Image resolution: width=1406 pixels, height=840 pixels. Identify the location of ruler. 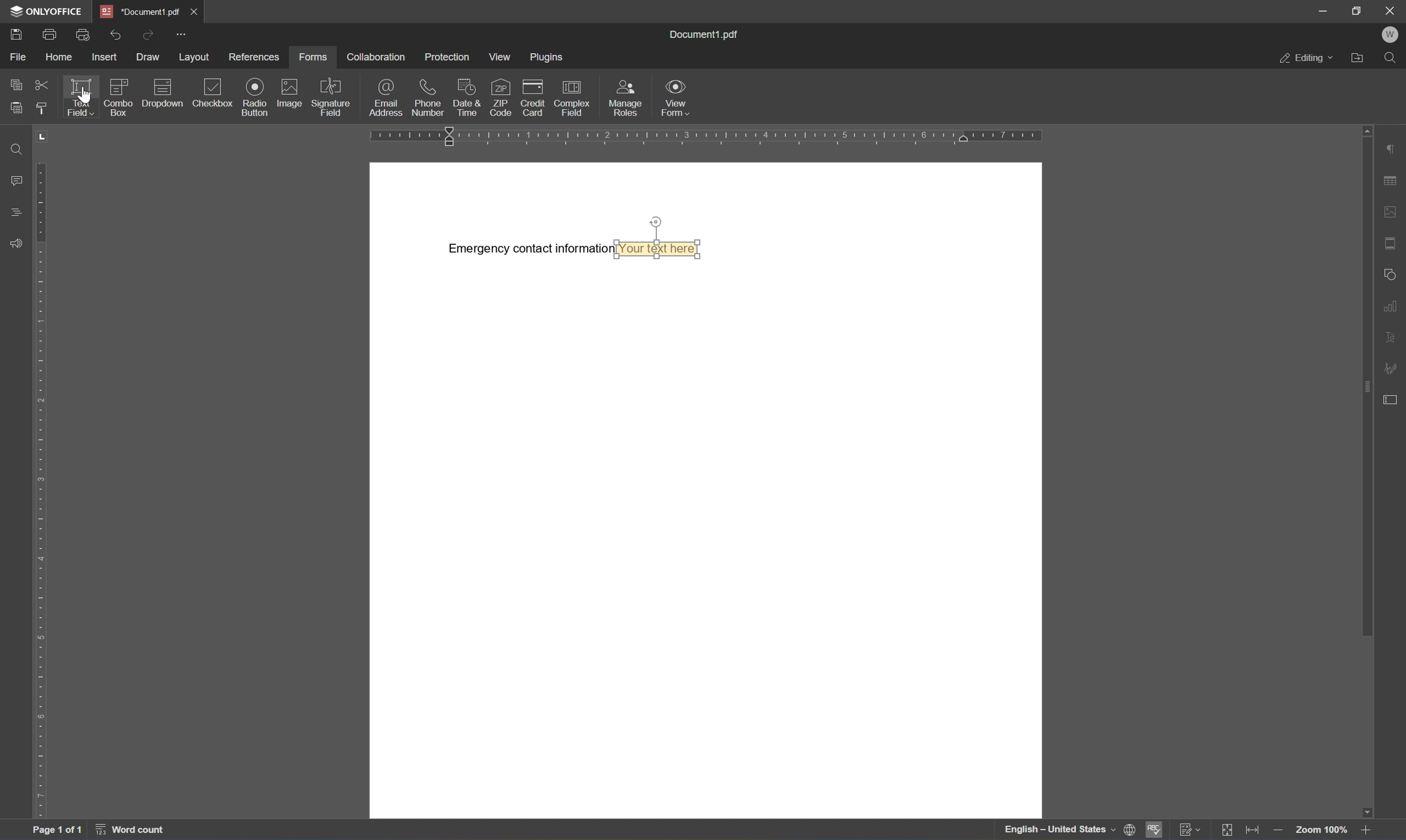
(46, 488).